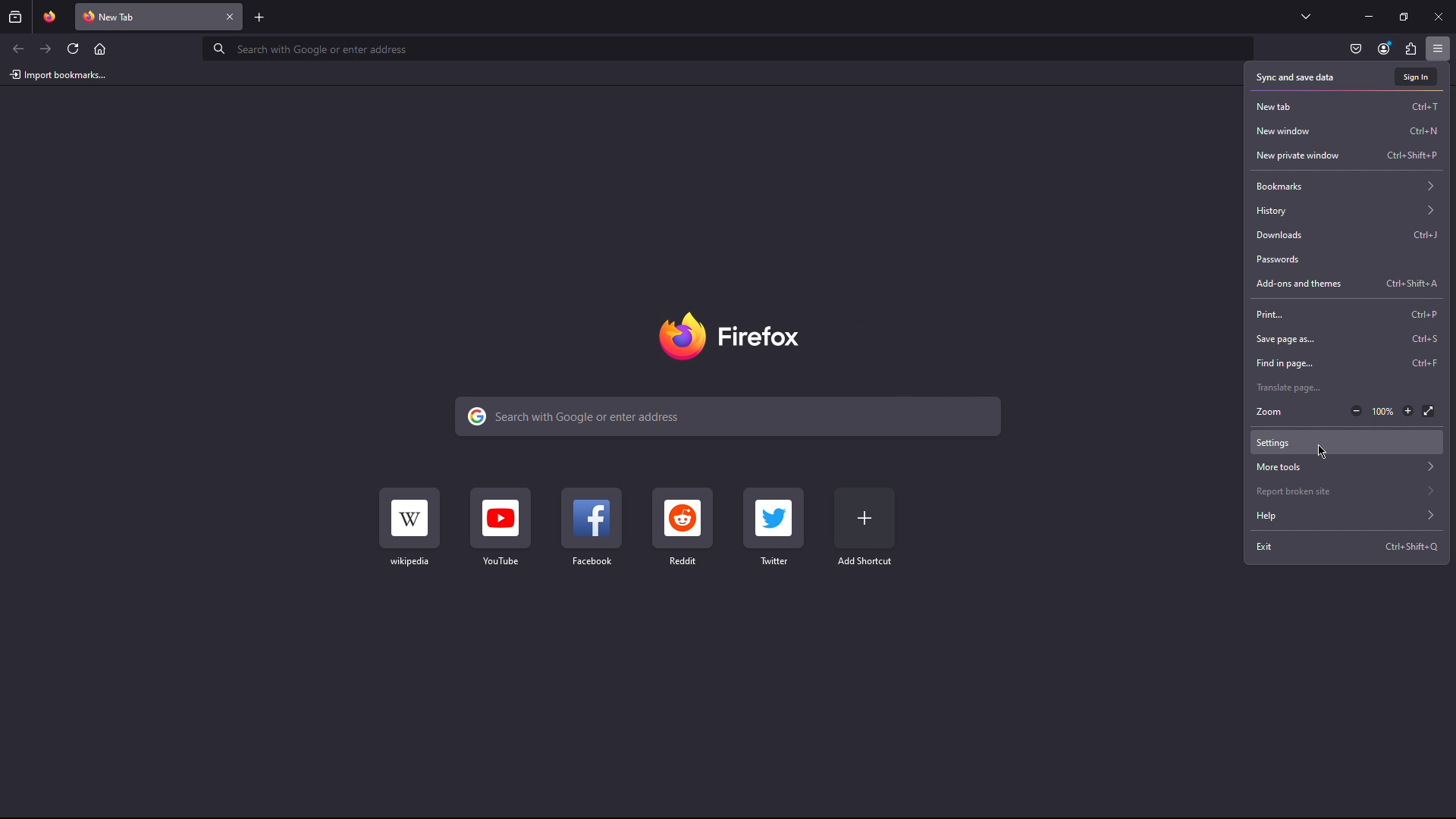 The width and height of the screenshot is (1456, 819). Describe the element at coordinates (1411, 50) in the screenshot. I see `Plugin` at that location.